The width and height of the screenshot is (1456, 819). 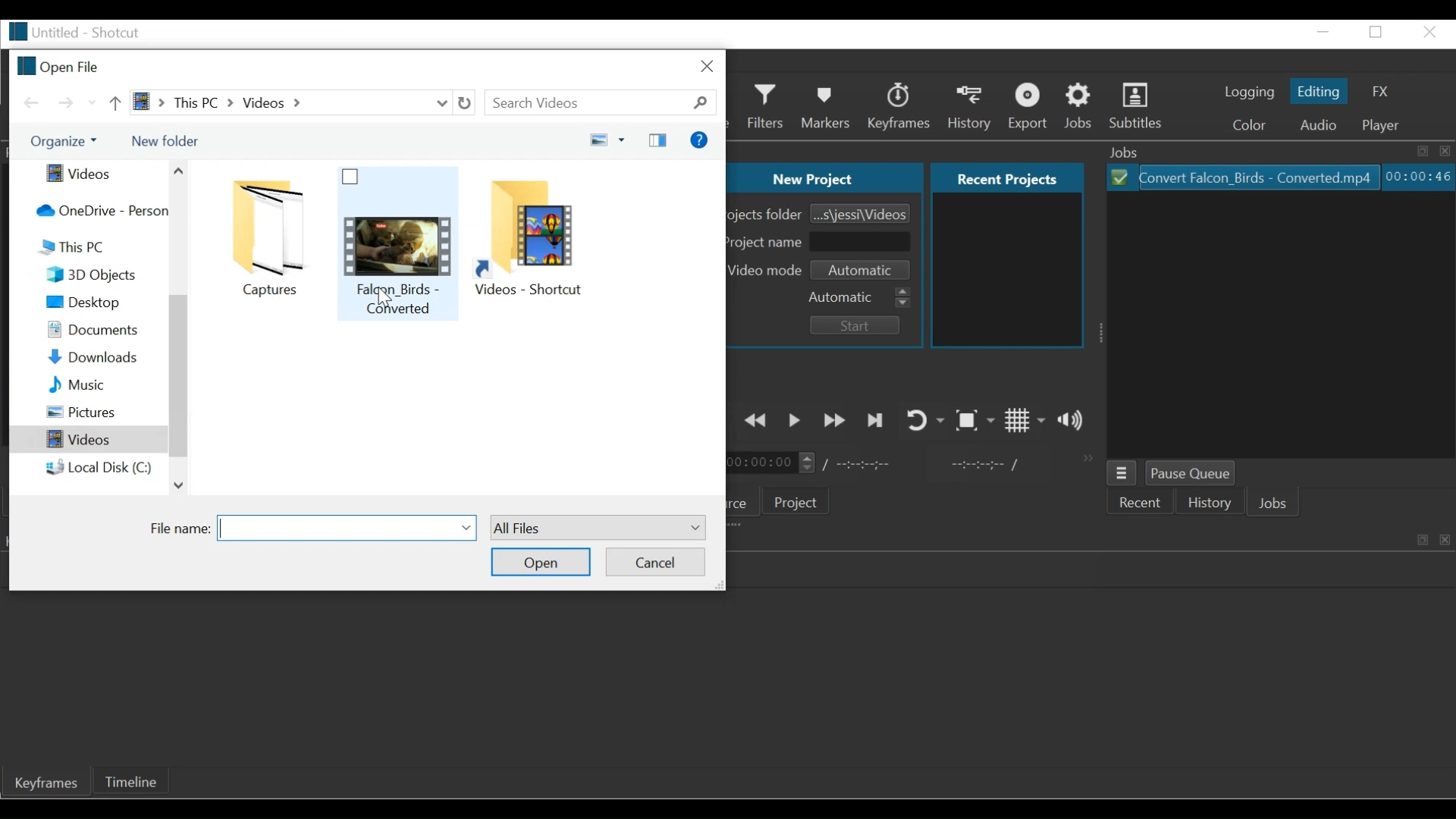 I want to click on Export, so click(x=1031, y=108).